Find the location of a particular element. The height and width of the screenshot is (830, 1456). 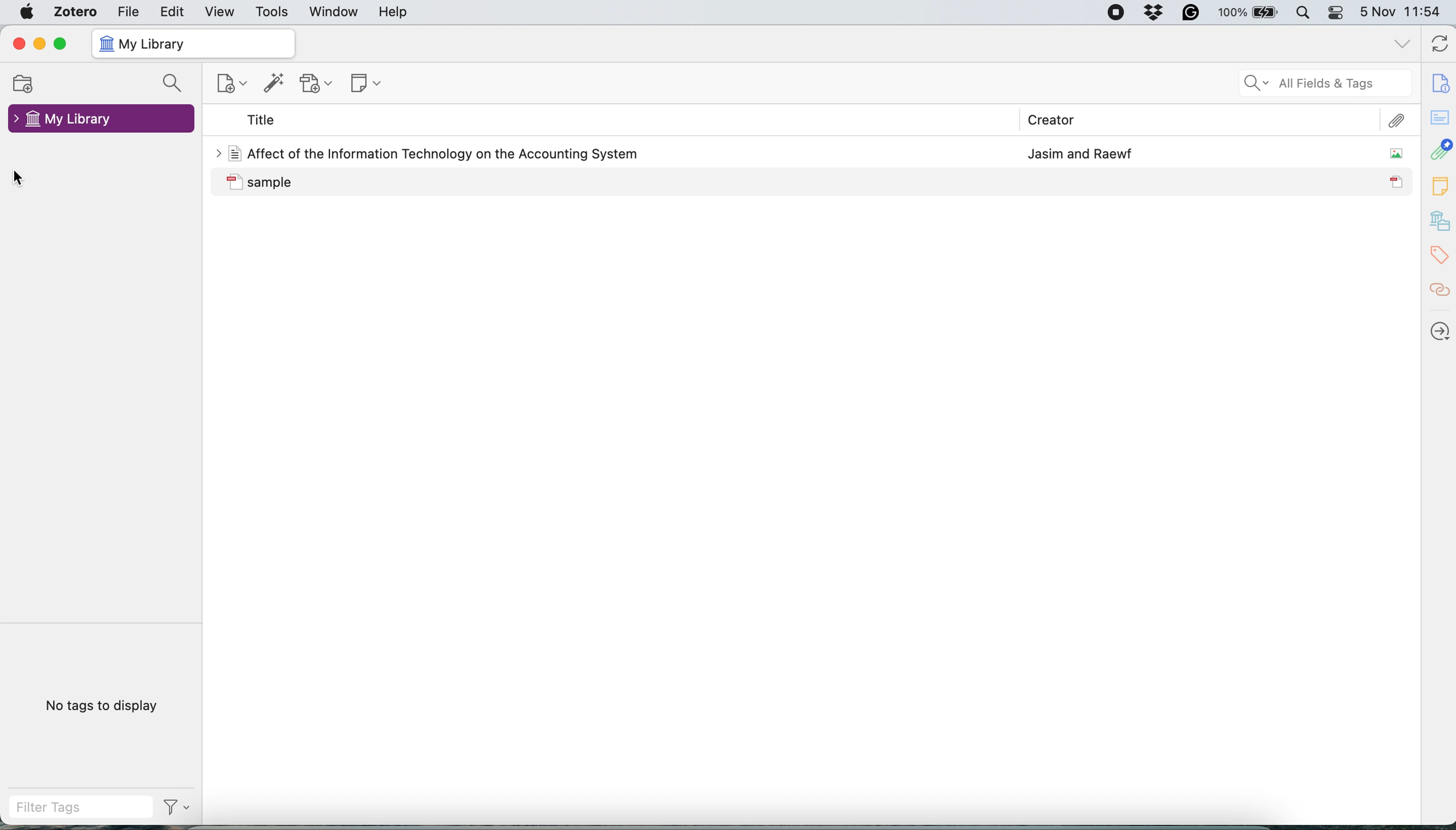

view is located at coordinates (221, 14).